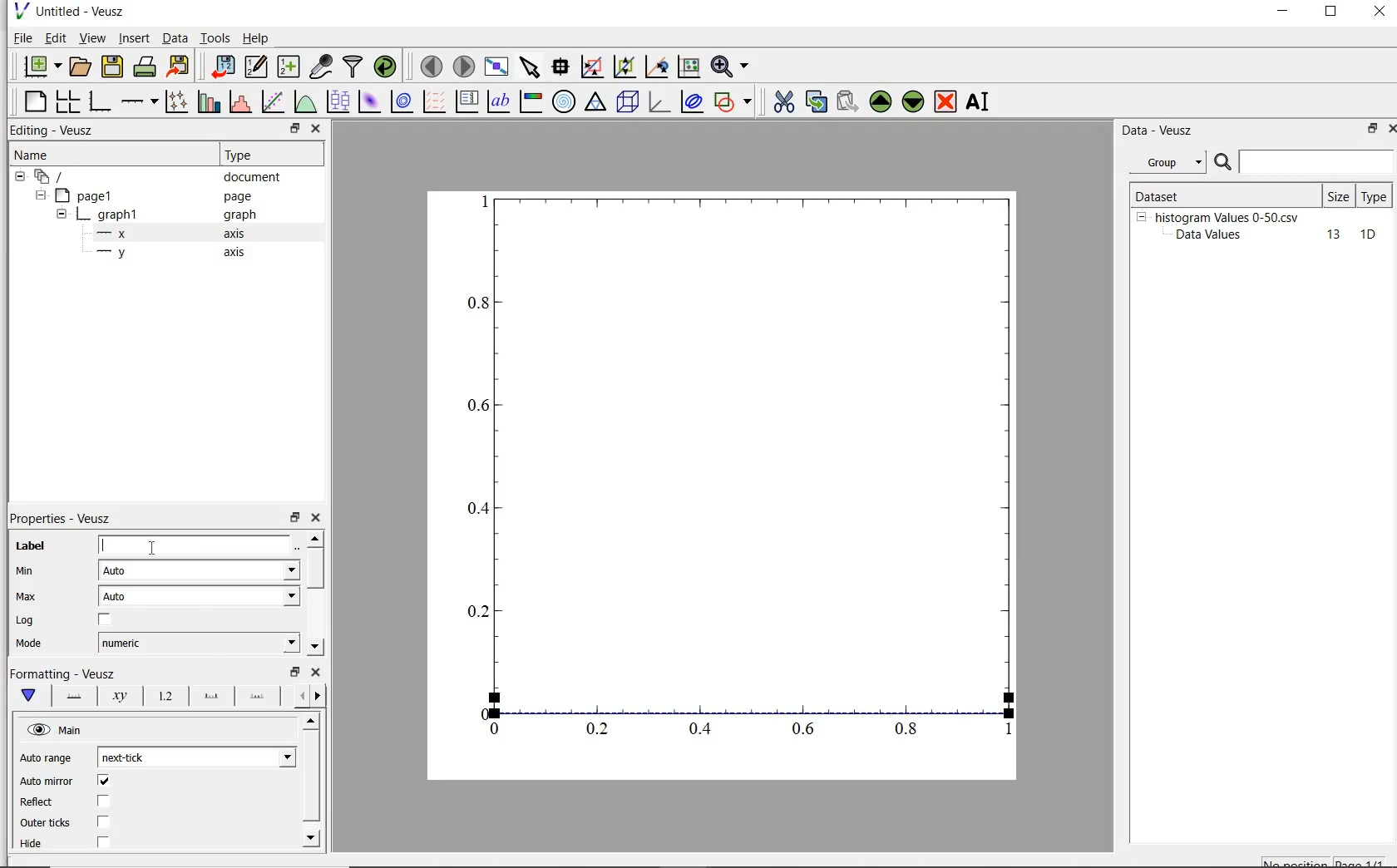 This screenshot has height=868, width=1397. What do you see at coordinates (60, 672) in the screenshot?
I see `|Formatting - Veusz` at bounding box center [60, 672].